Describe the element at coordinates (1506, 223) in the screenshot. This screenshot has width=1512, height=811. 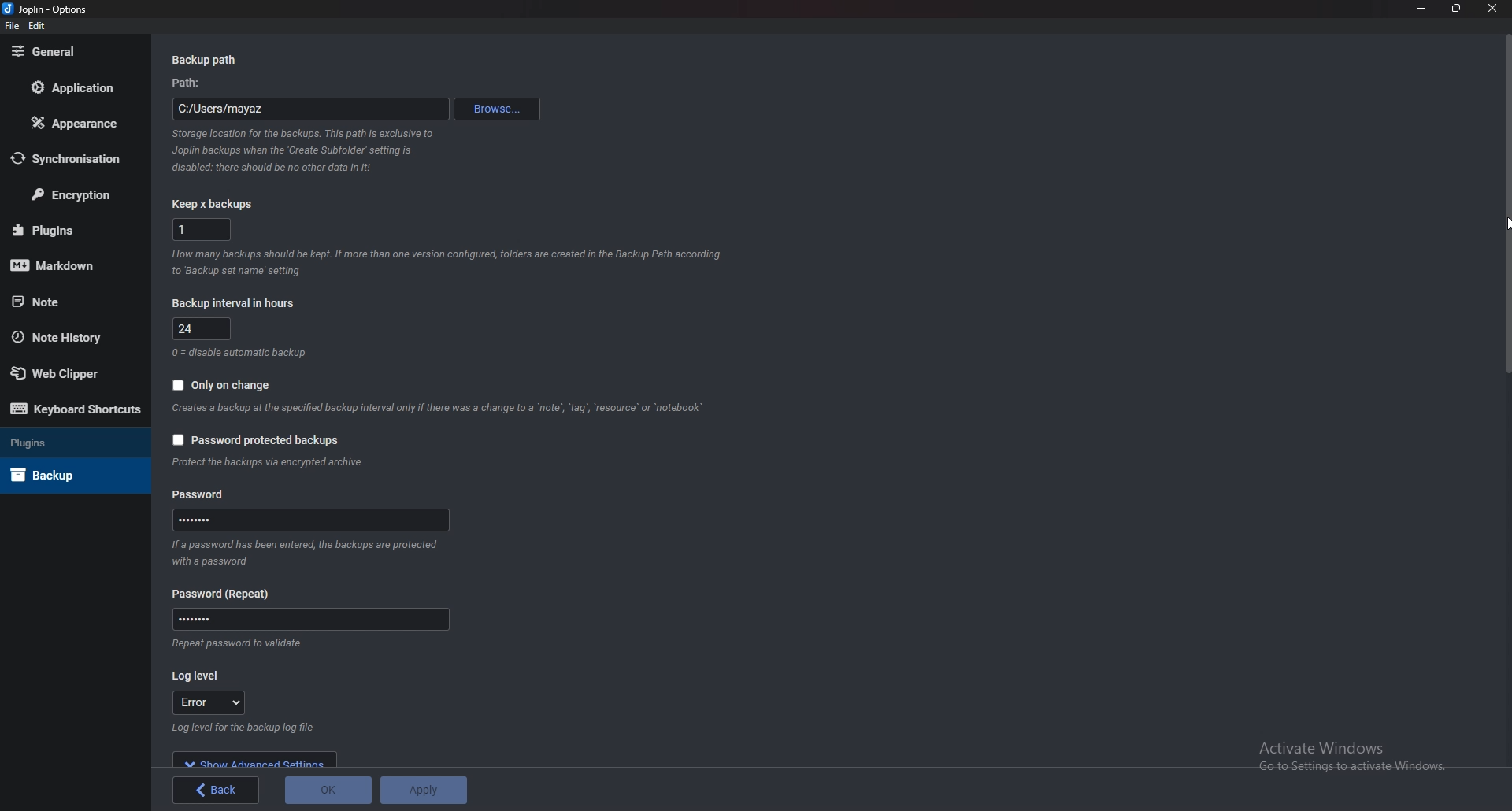
I see `Cursor` at that location.